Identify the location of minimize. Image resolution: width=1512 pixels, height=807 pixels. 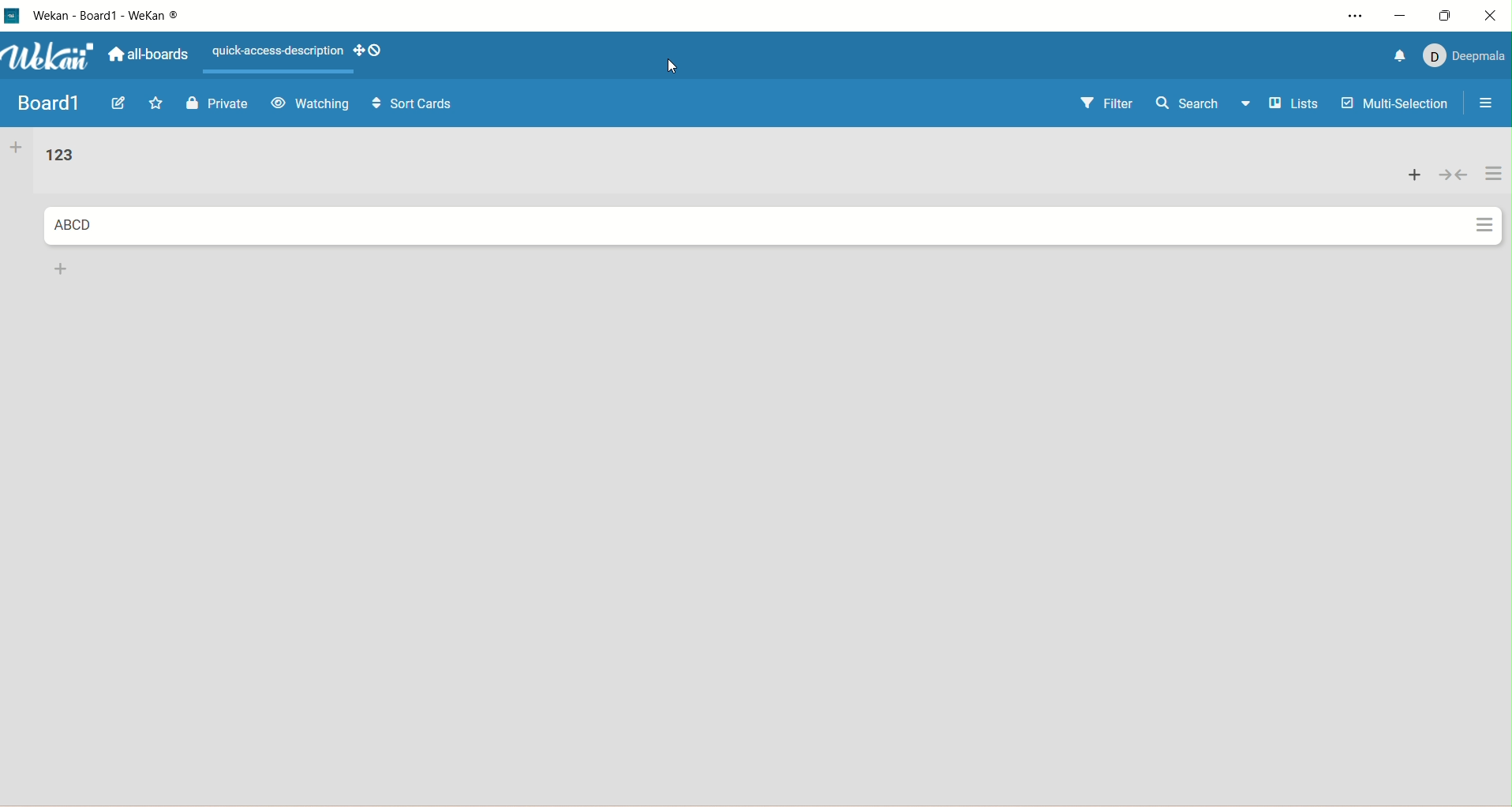
(1399, 17).